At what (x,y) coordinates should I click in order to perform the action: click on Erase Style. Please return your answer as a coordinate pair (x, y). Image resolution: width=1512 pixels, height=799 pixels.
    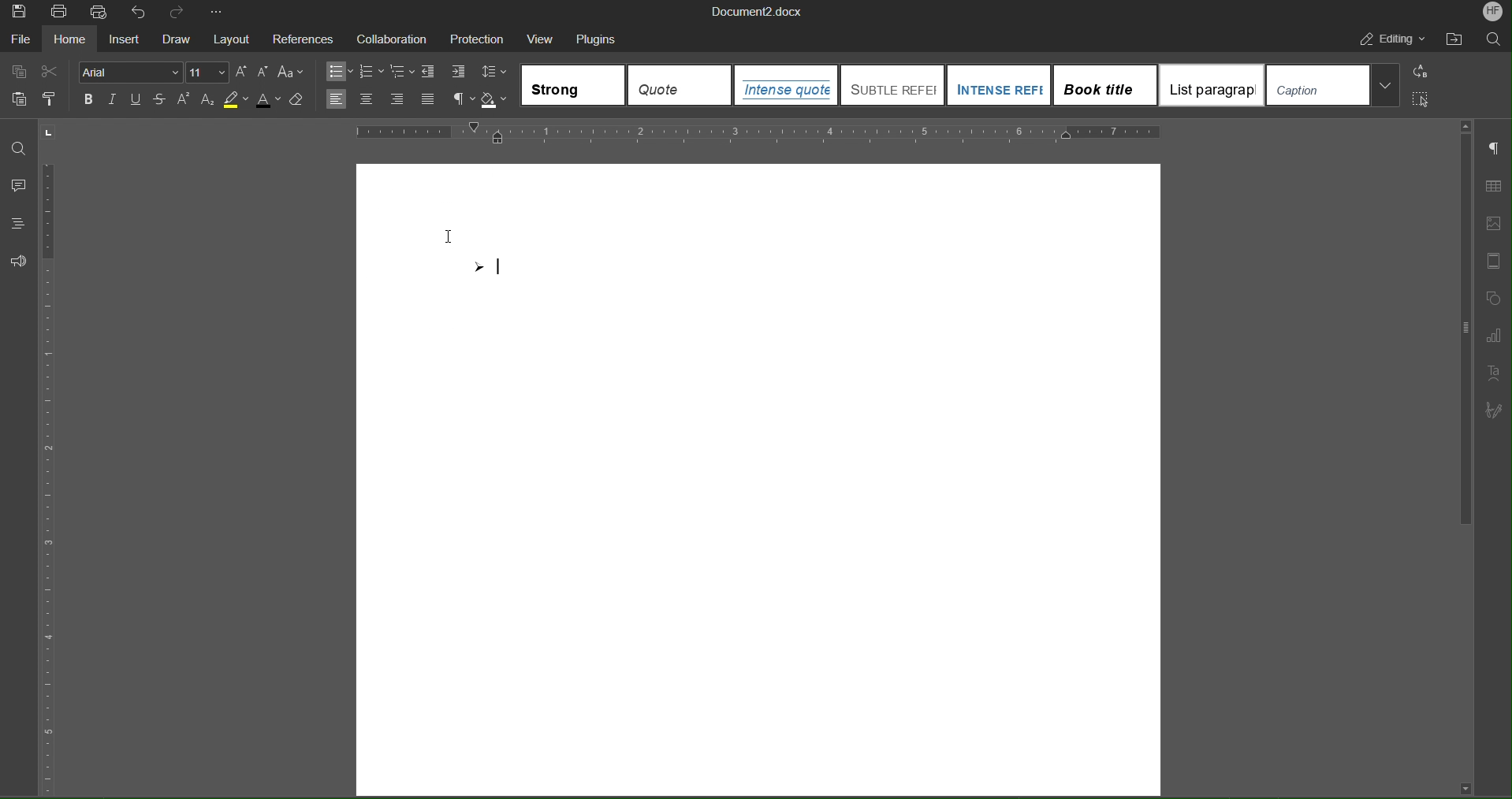
    Looking at the image, I should click on (301, 100).